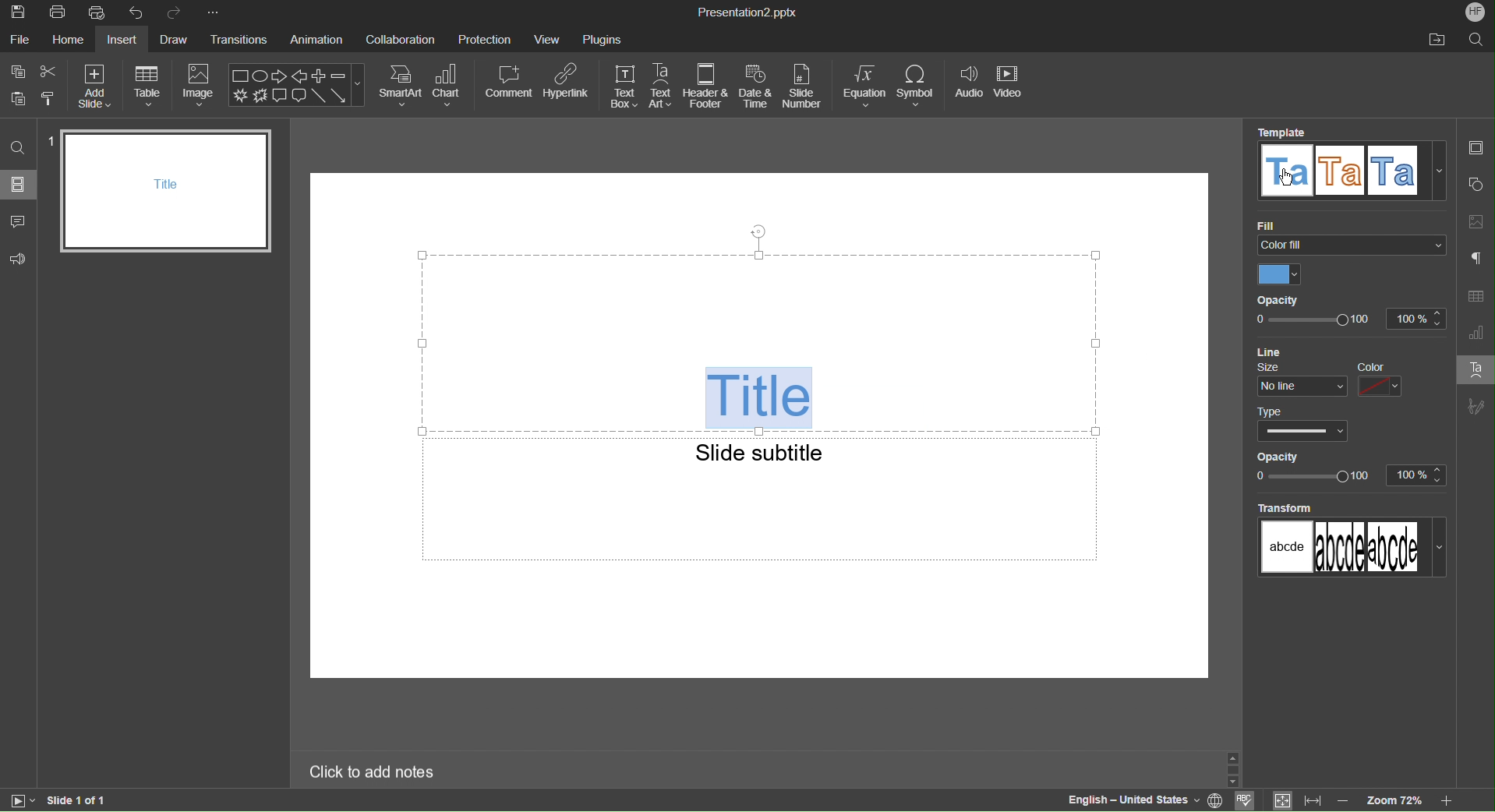 Image resolution: width=1495 pixels, height=812 pixels. What do you see at coordinates (372, 773) in the screenshot?
I see `Click to add notes` at bounding box center [372, 773].